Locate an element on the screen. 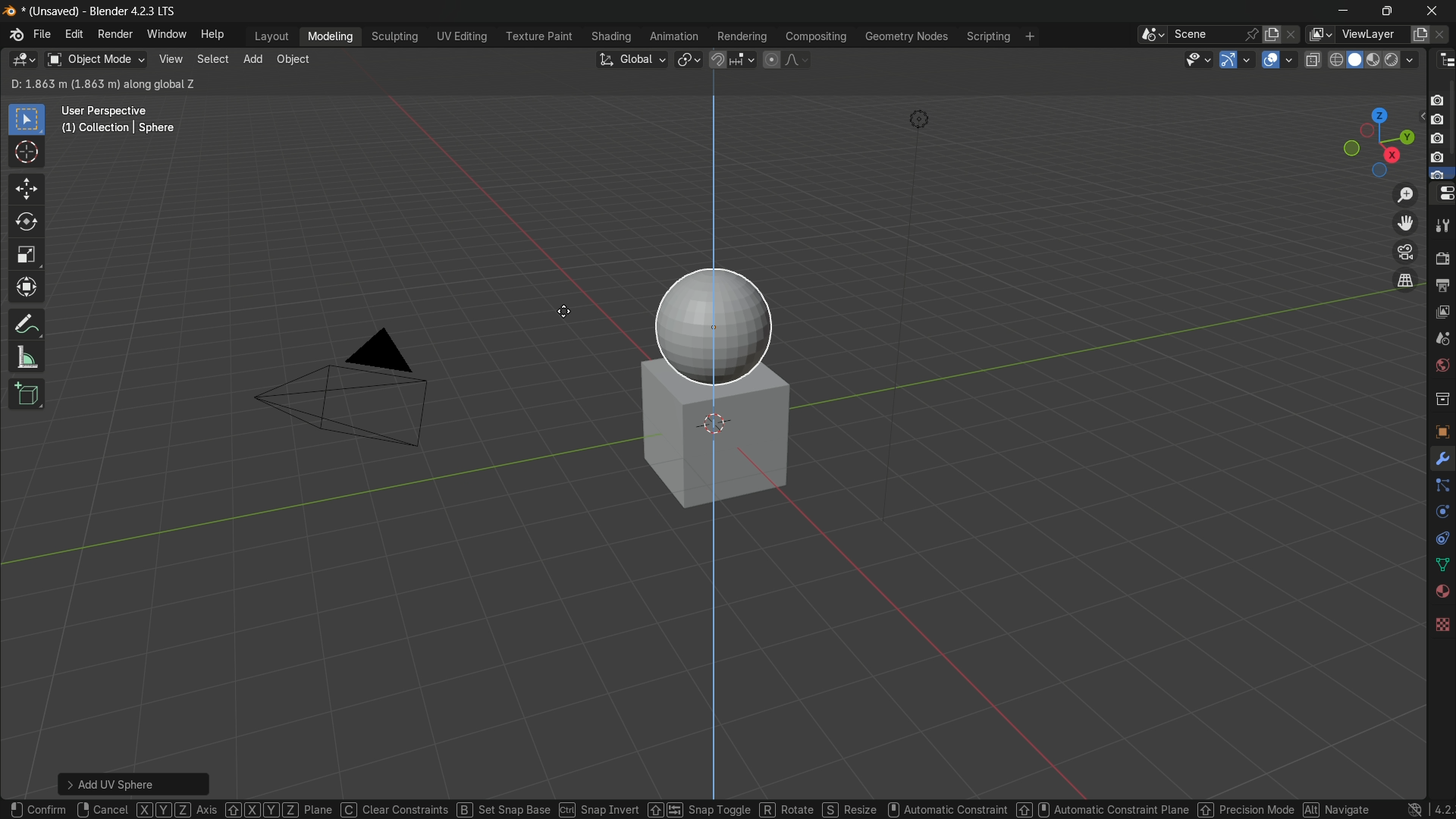 The width and height of the screenshot is (1456, 819). logo is located at coordinates (1397, 810).